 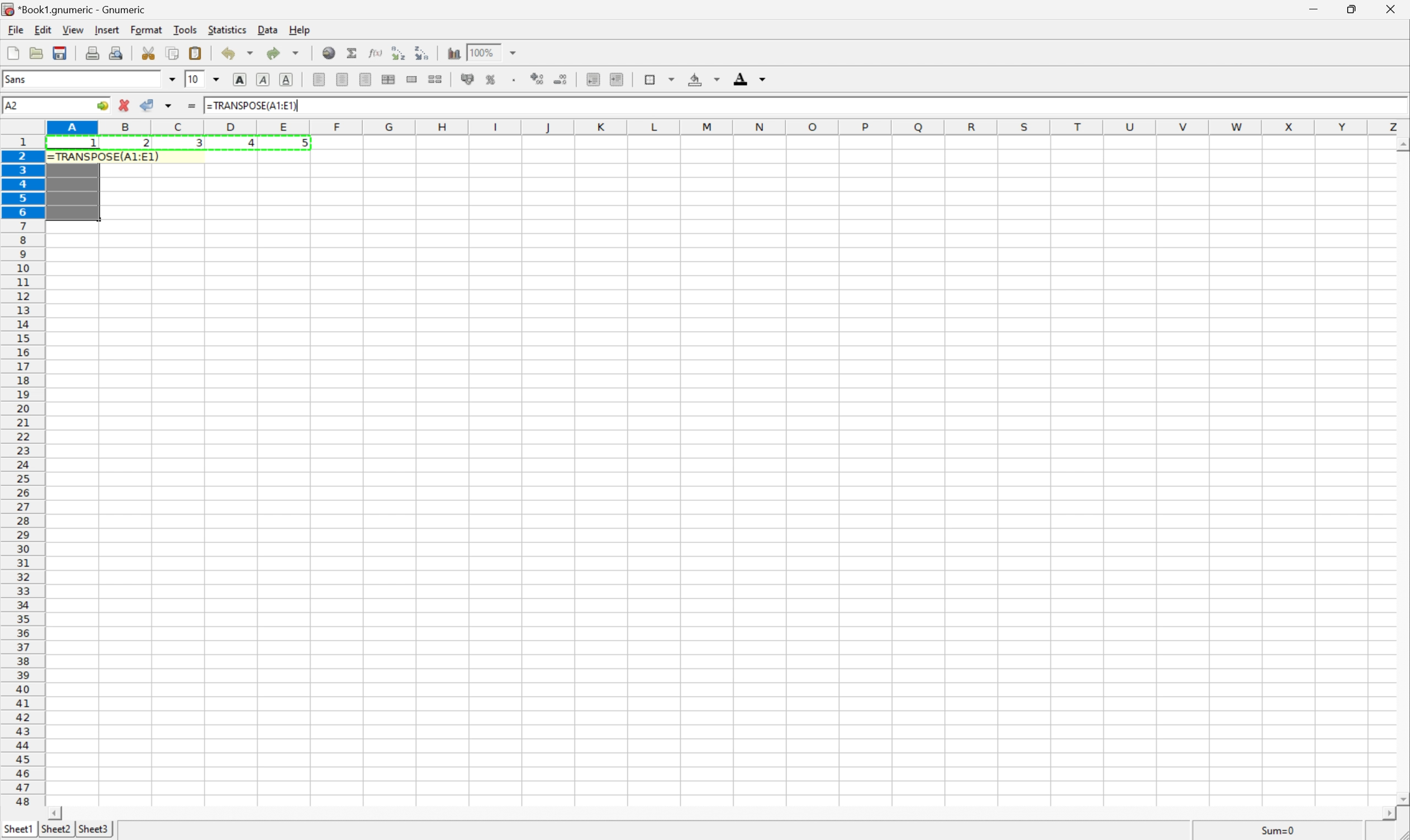 I want to click on insert chart, so click(x=454, y=53).